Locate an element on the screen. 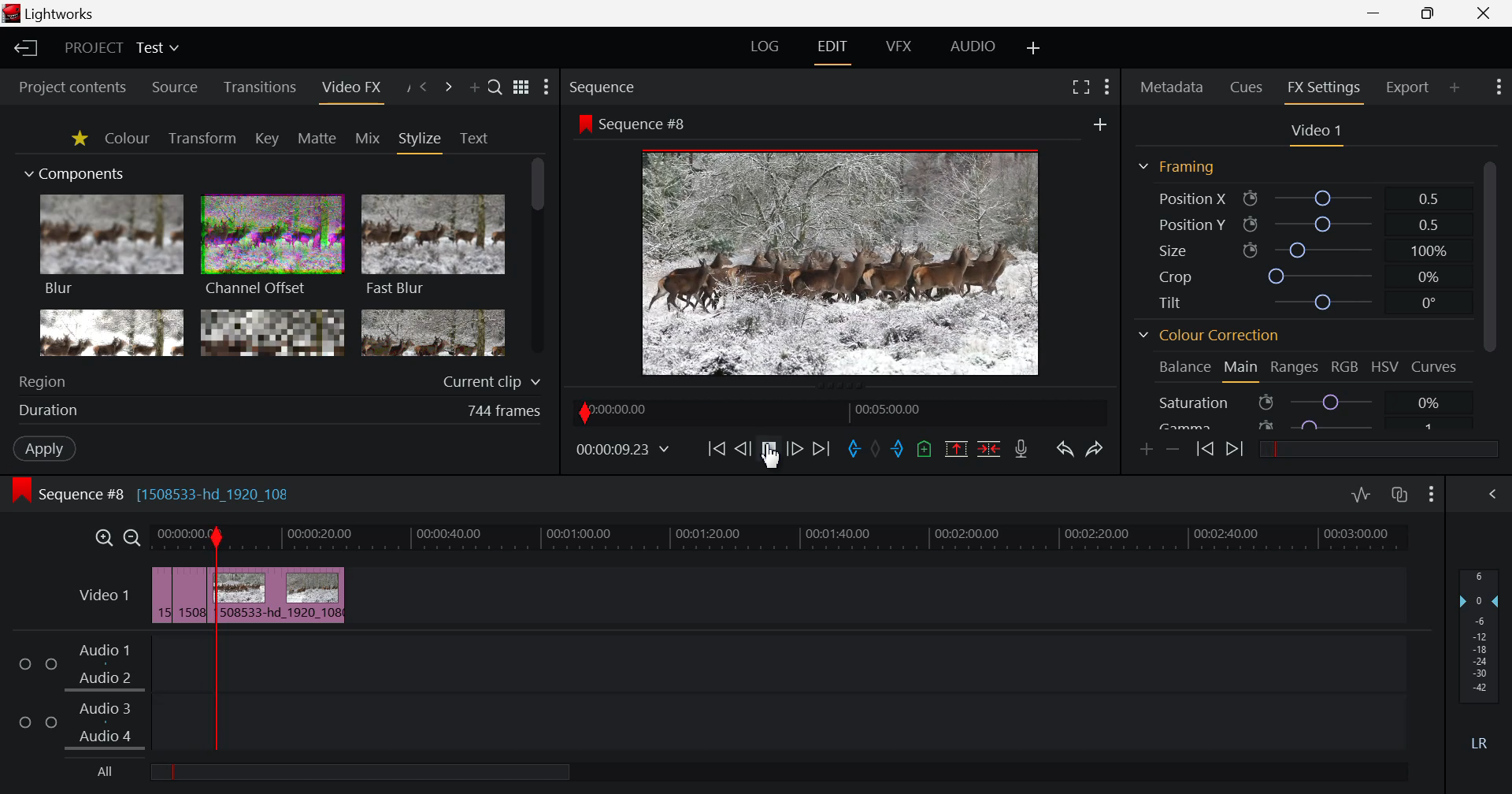  Add Layout is located at coordinates (1032, 48).